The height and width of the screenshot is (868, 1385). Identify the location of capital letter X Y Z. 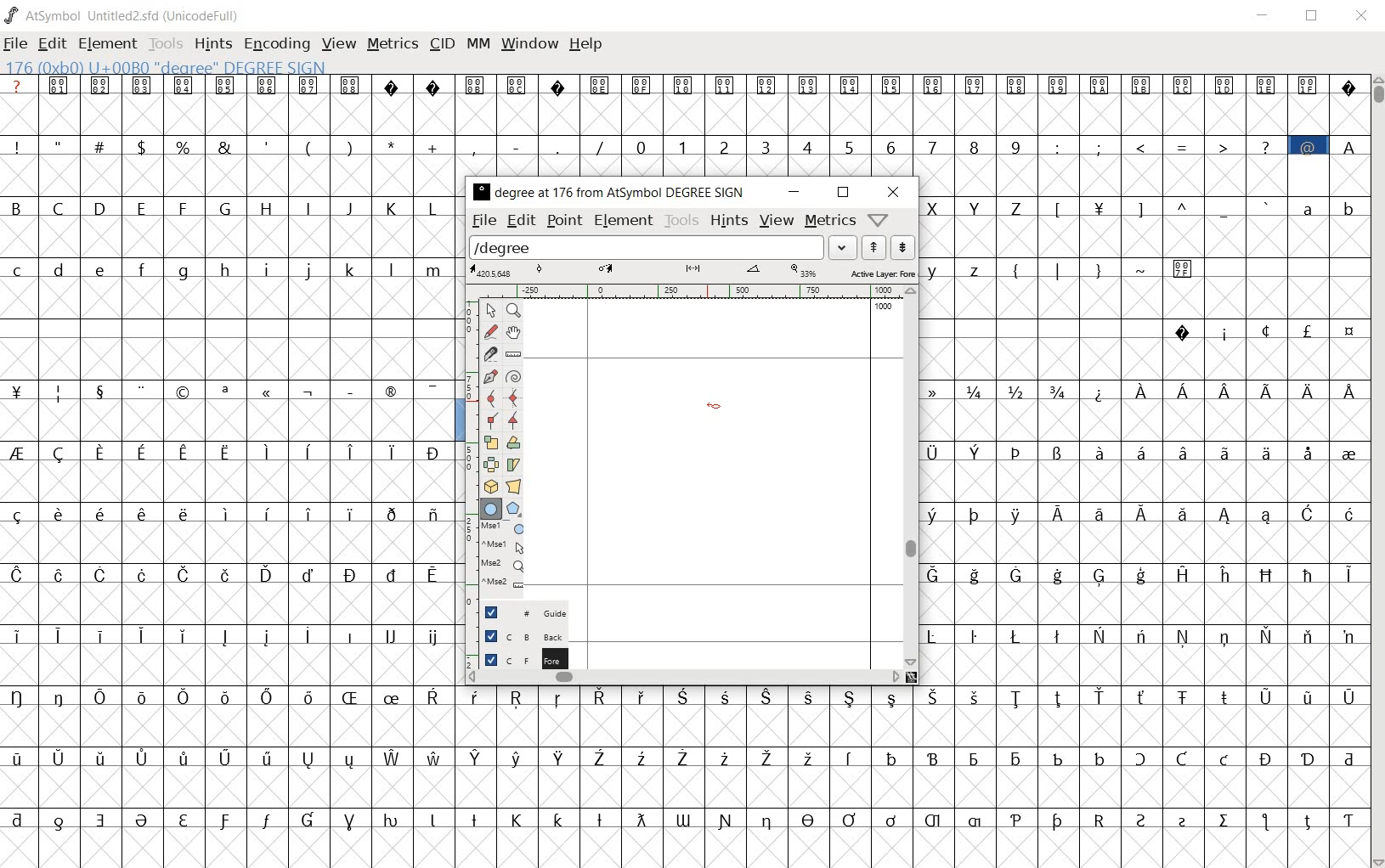
(981, 207).